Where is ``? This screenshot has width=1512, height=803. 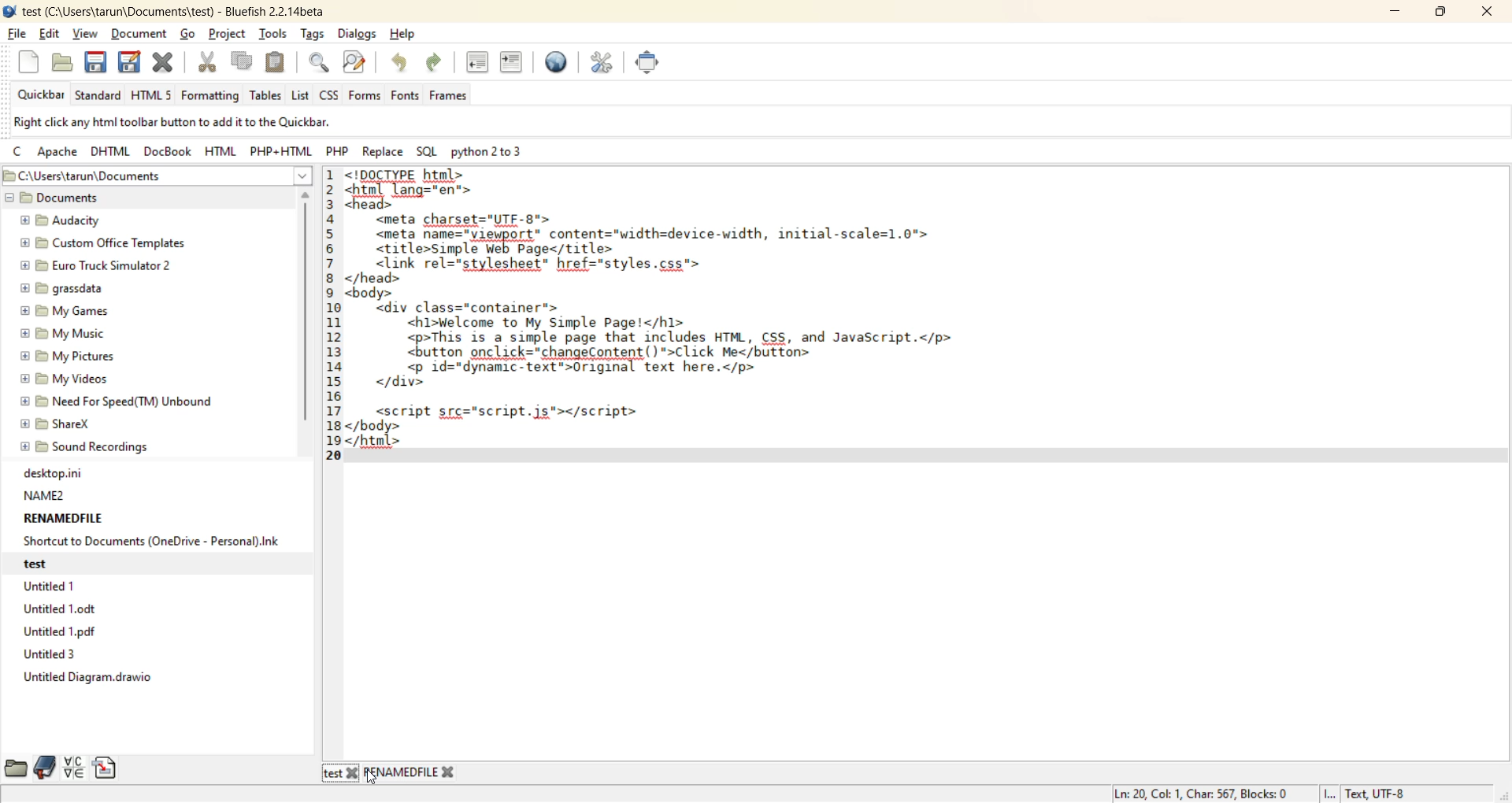  is located at coordinates (354, 773).